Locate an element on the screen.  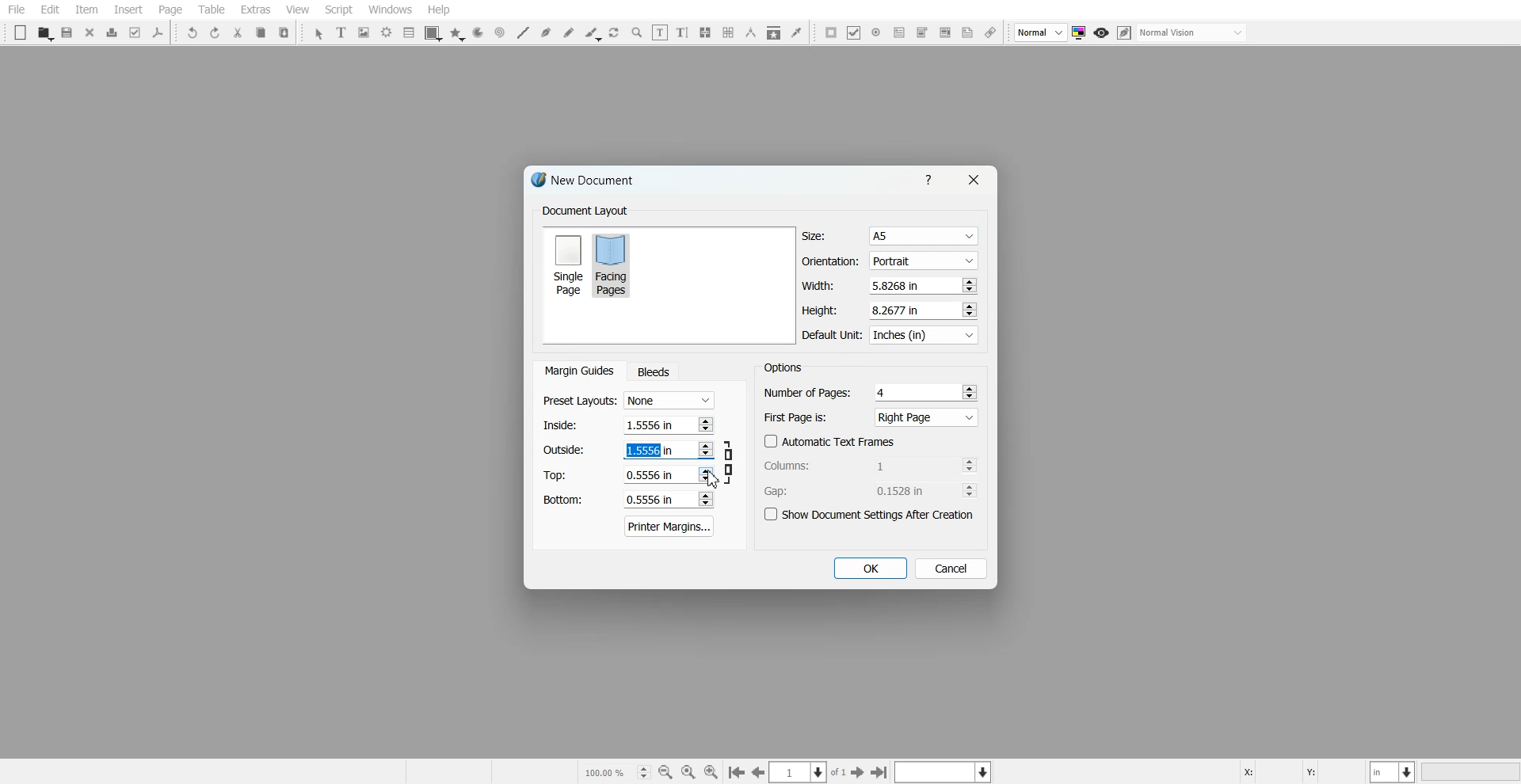
Column adjuster is located at coordinates (871, 465).